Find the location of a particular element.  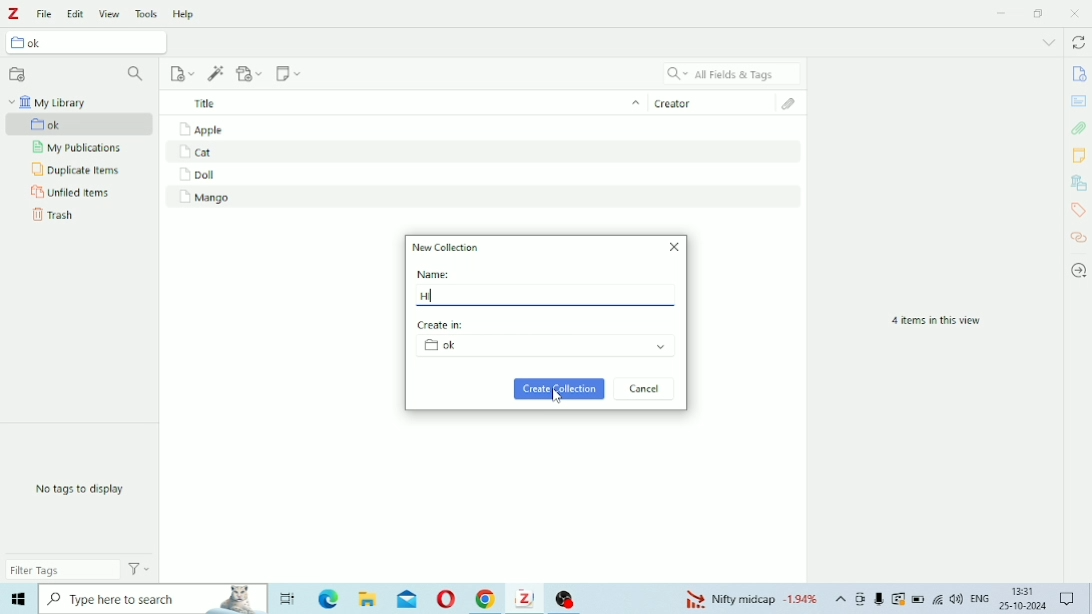

ENG is located at coordinates (979, 597).